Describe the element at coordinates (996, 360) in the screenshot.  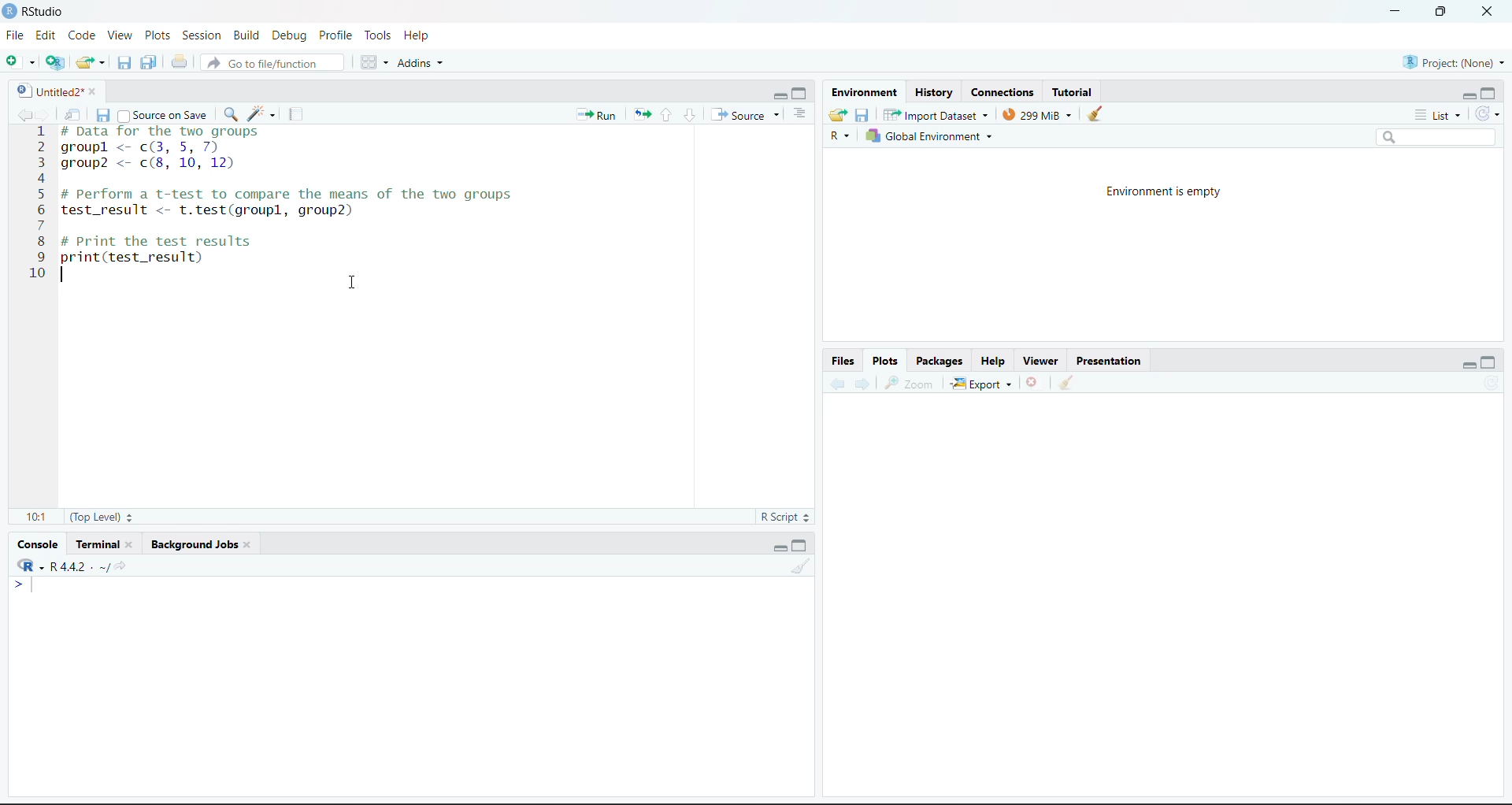
I see `Help` at that location.